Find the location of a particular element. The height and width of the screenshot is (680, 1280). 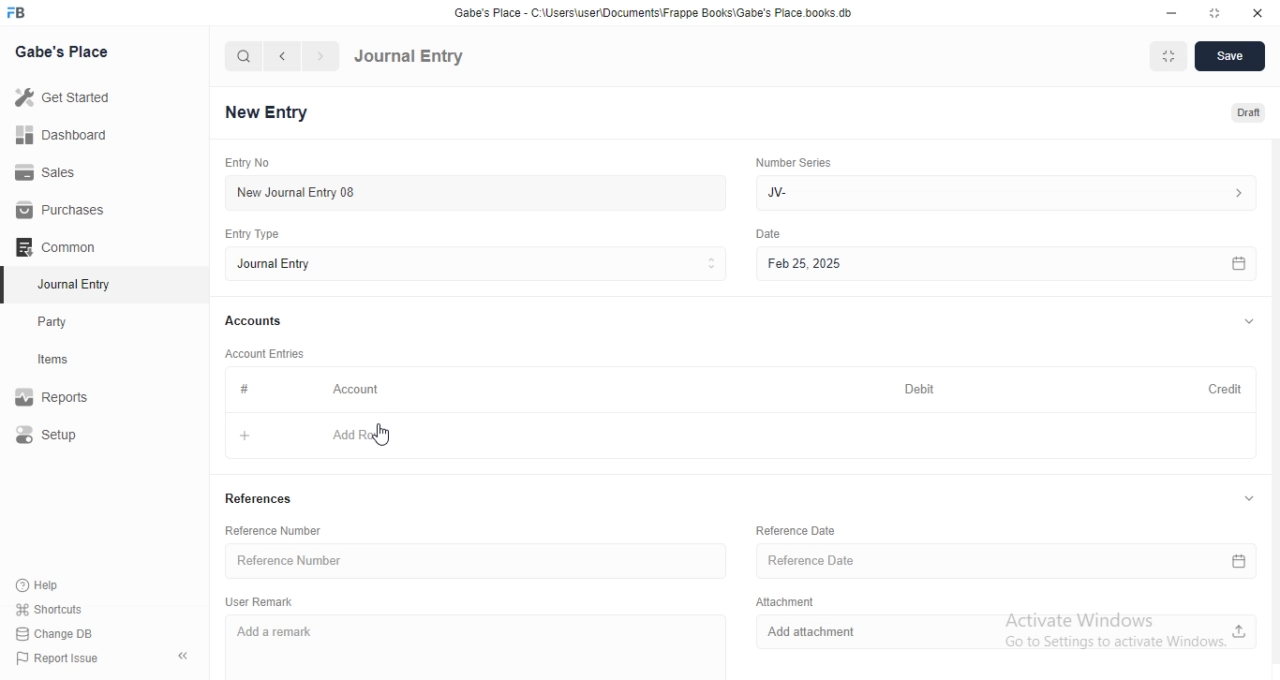

navigate forward is located at coordinates (321, 56).